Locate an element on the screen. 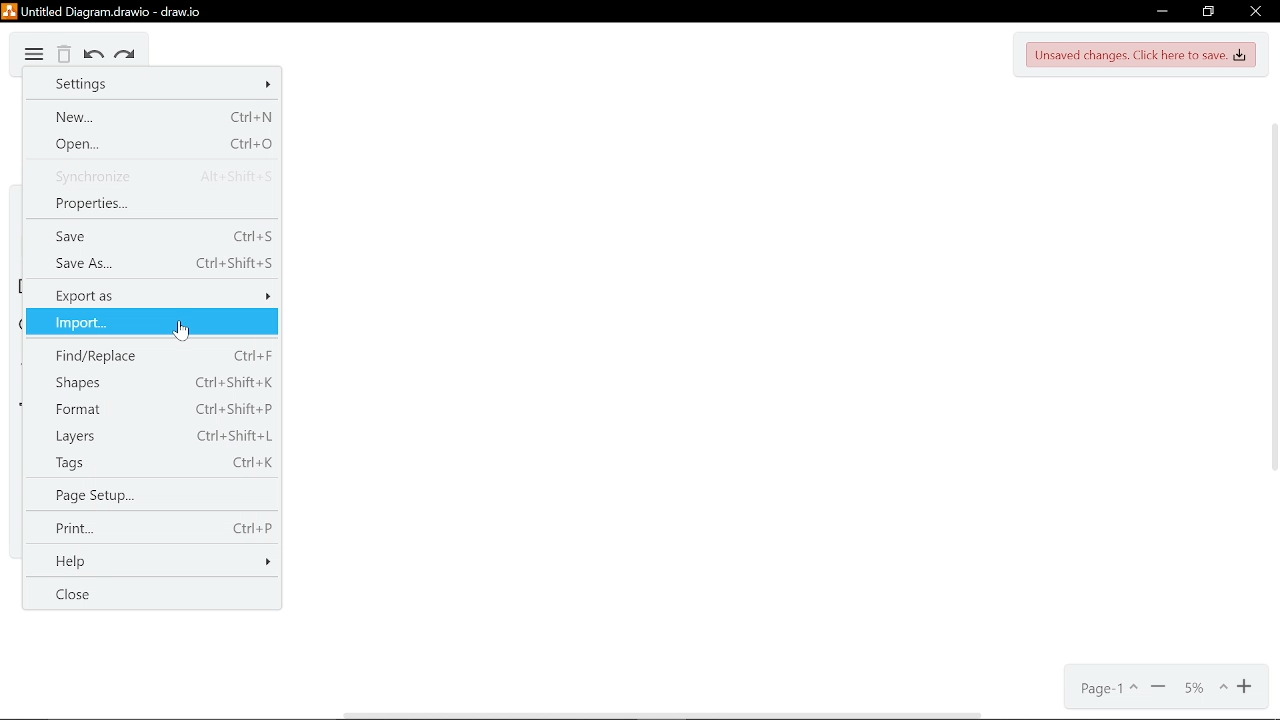 Image resolution: width=1280 pixels, height=720 pixels. cursor is located at coordinates (180, 331).